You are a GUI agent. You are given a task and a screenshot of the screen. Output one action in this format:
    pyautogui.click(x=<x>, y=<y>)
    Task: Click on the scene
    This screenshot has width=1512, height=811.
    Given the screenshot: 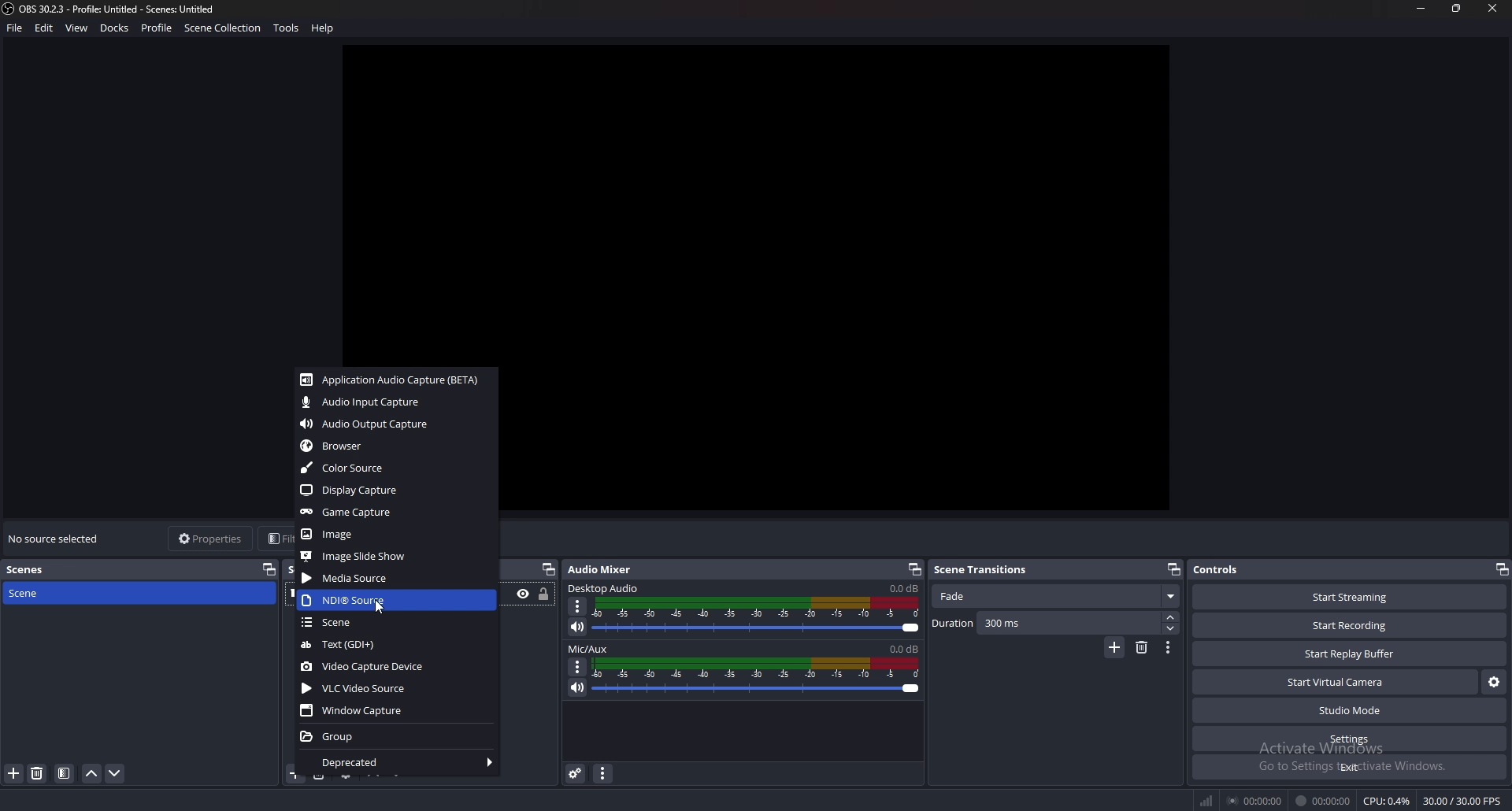 What is the action you would take?
    pyautogui.click(x=395, y=622)
    